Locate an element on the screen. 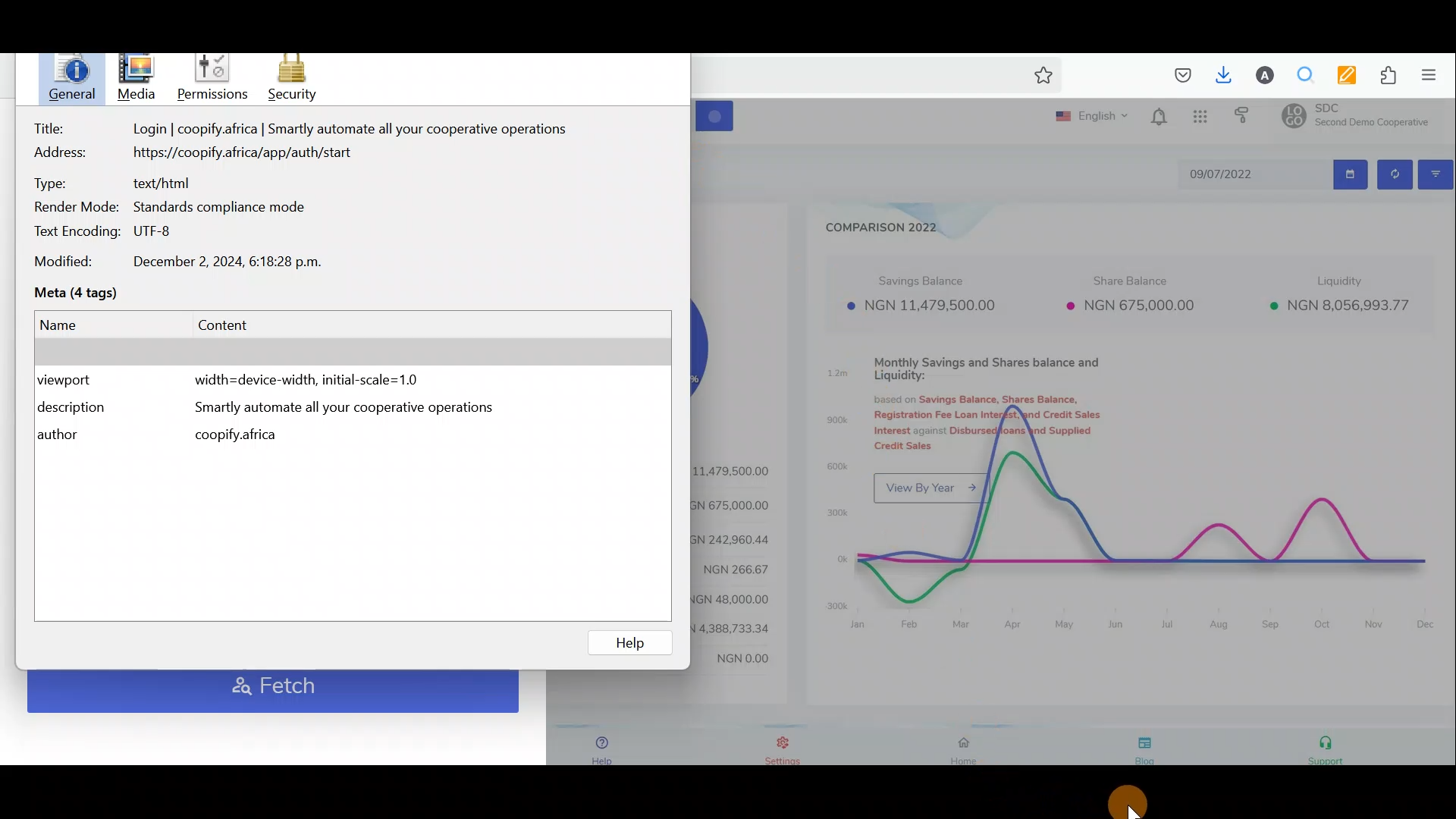  Date modified is located at coordinates (179, 259).